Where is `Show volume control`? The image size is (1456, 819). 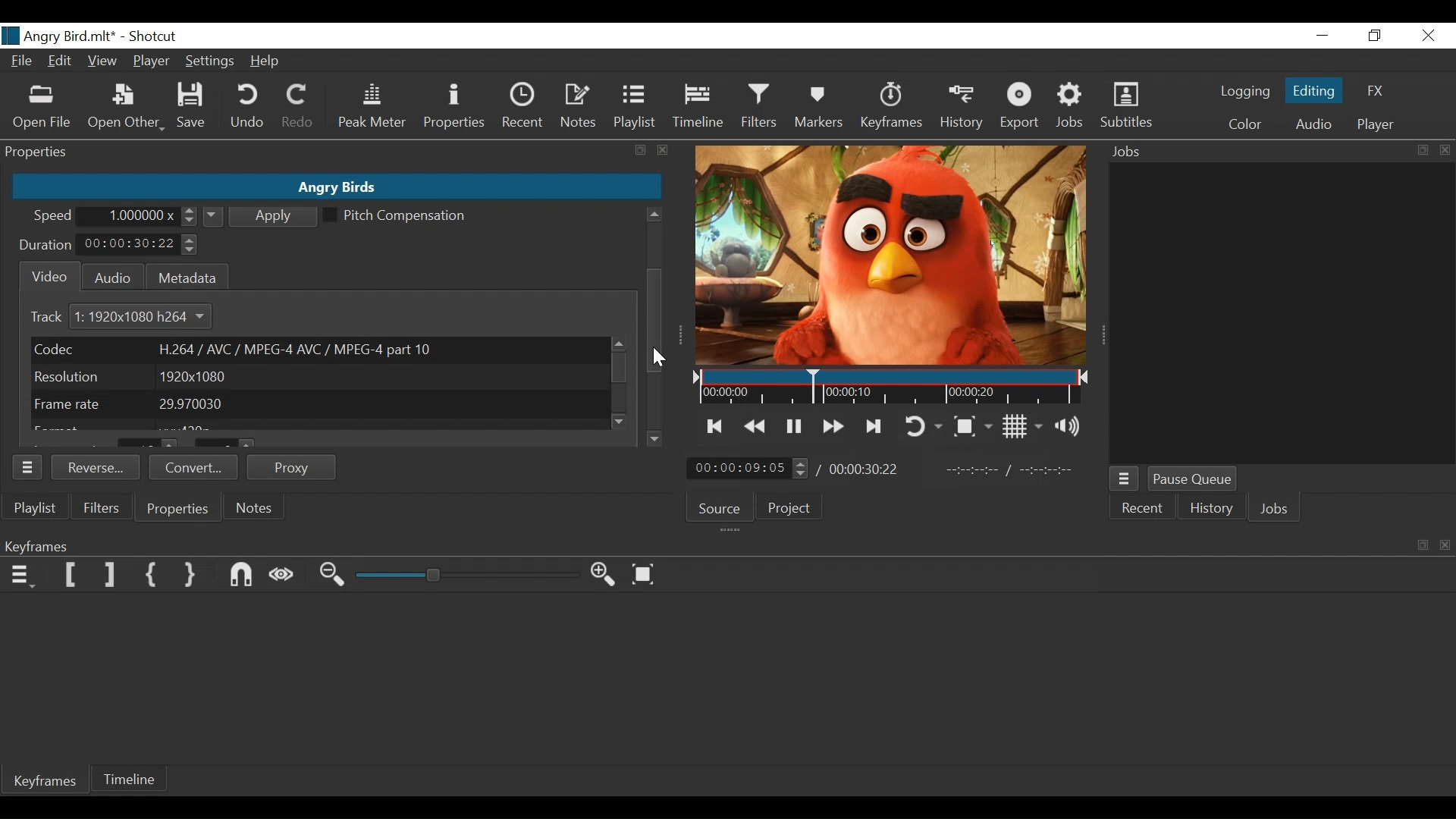
Show volume control is located at coordinates (1070, 428).